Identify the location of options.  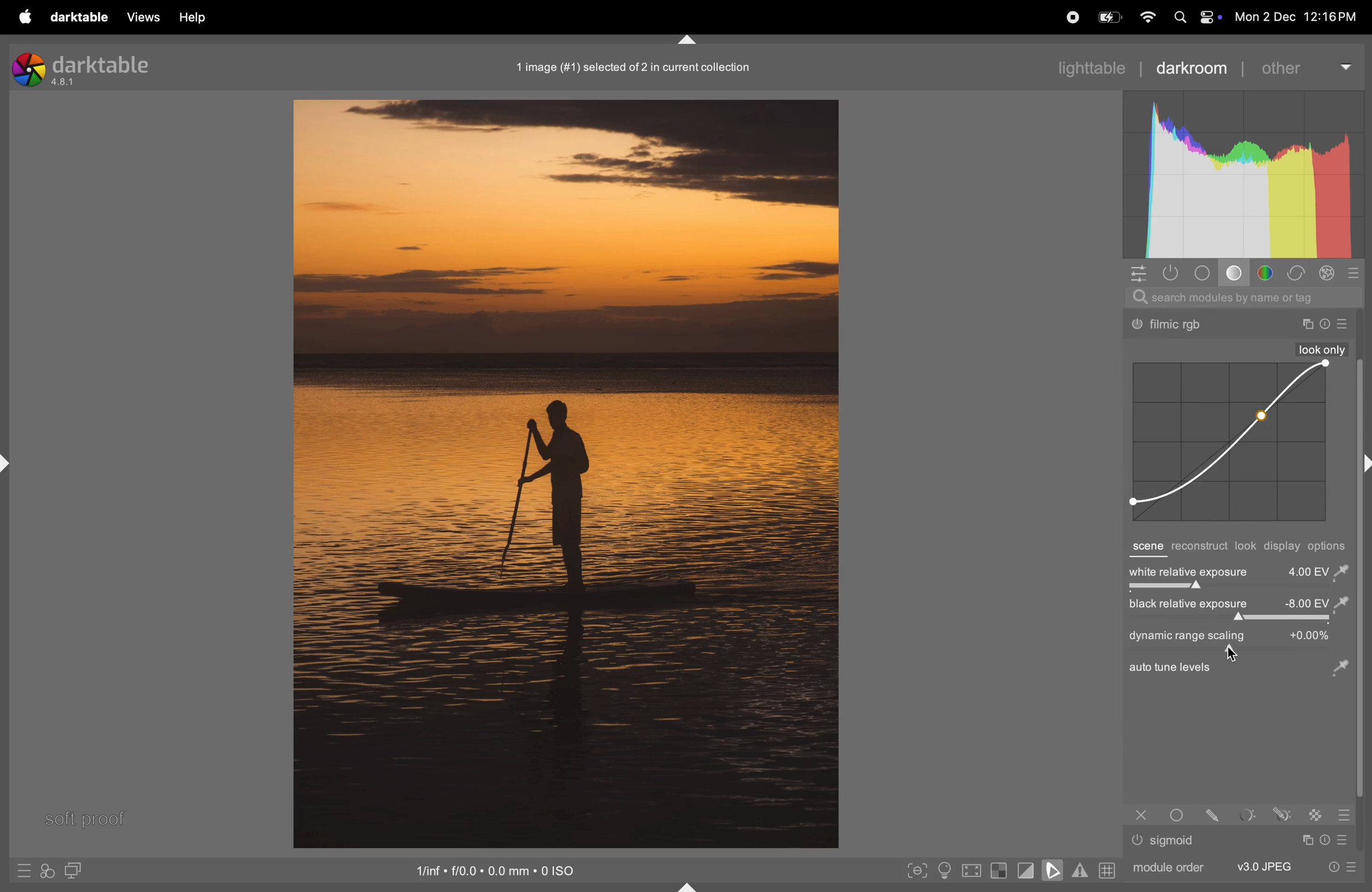
(1330, 546).